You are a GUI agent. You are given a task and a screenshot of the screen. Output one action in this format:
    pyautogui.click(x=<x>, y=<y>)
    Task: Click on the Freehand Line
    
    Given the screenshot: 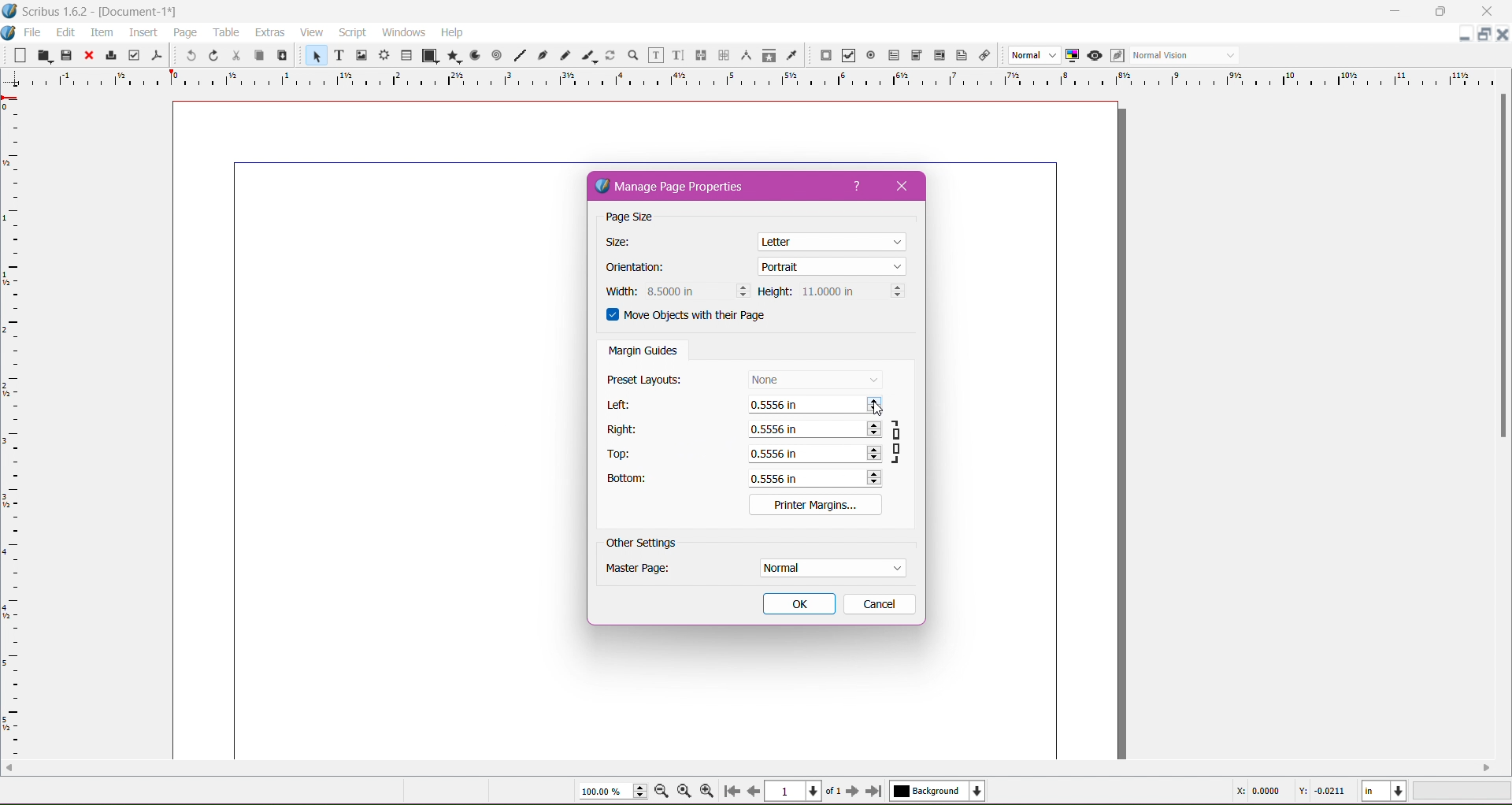 What is the action you would take?
    pyautogui.click(x=565, y=55)
    